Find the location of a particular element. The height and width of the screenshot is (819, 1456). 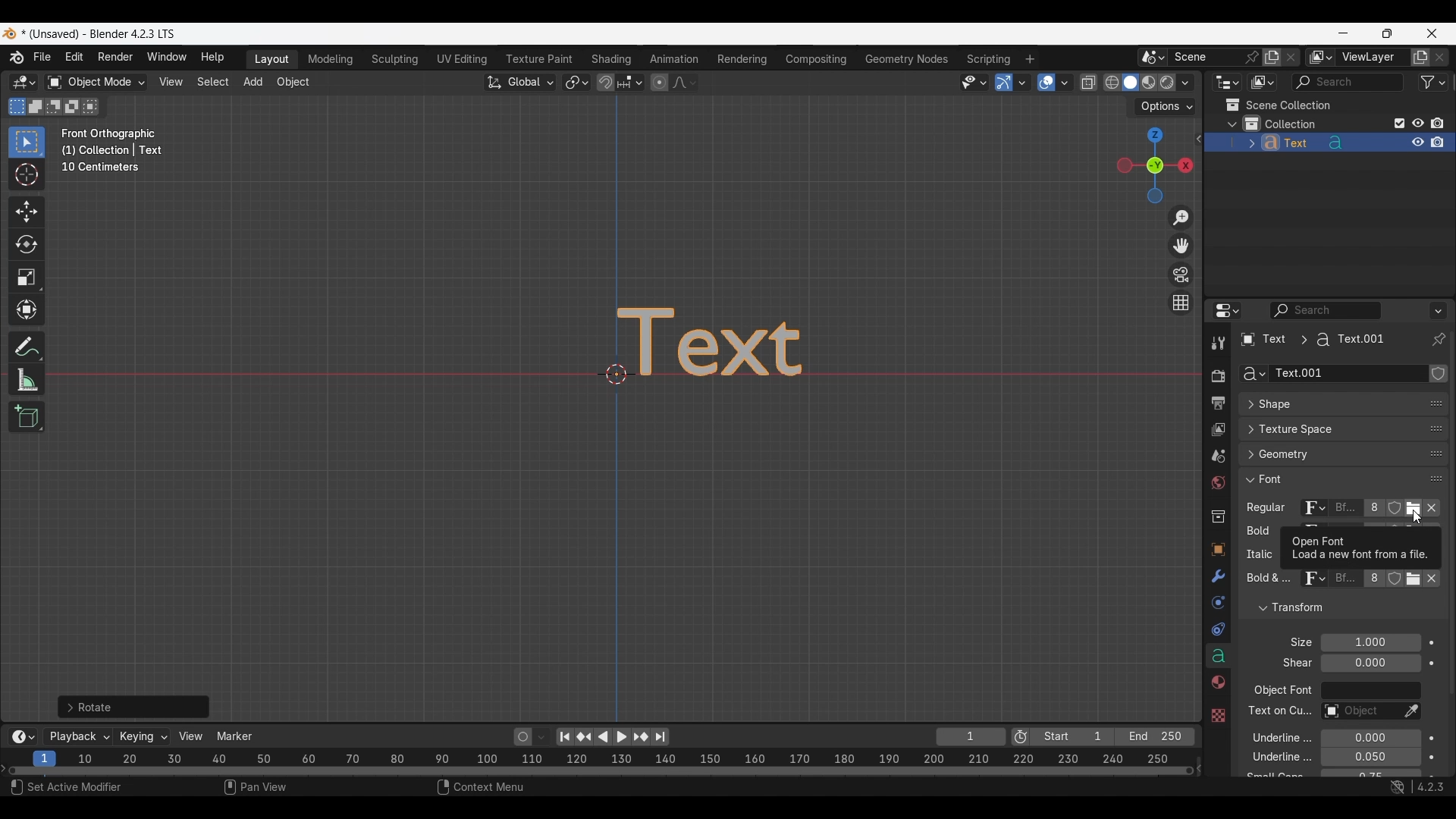

Browse ID data is located at coordinates (1311, 582).